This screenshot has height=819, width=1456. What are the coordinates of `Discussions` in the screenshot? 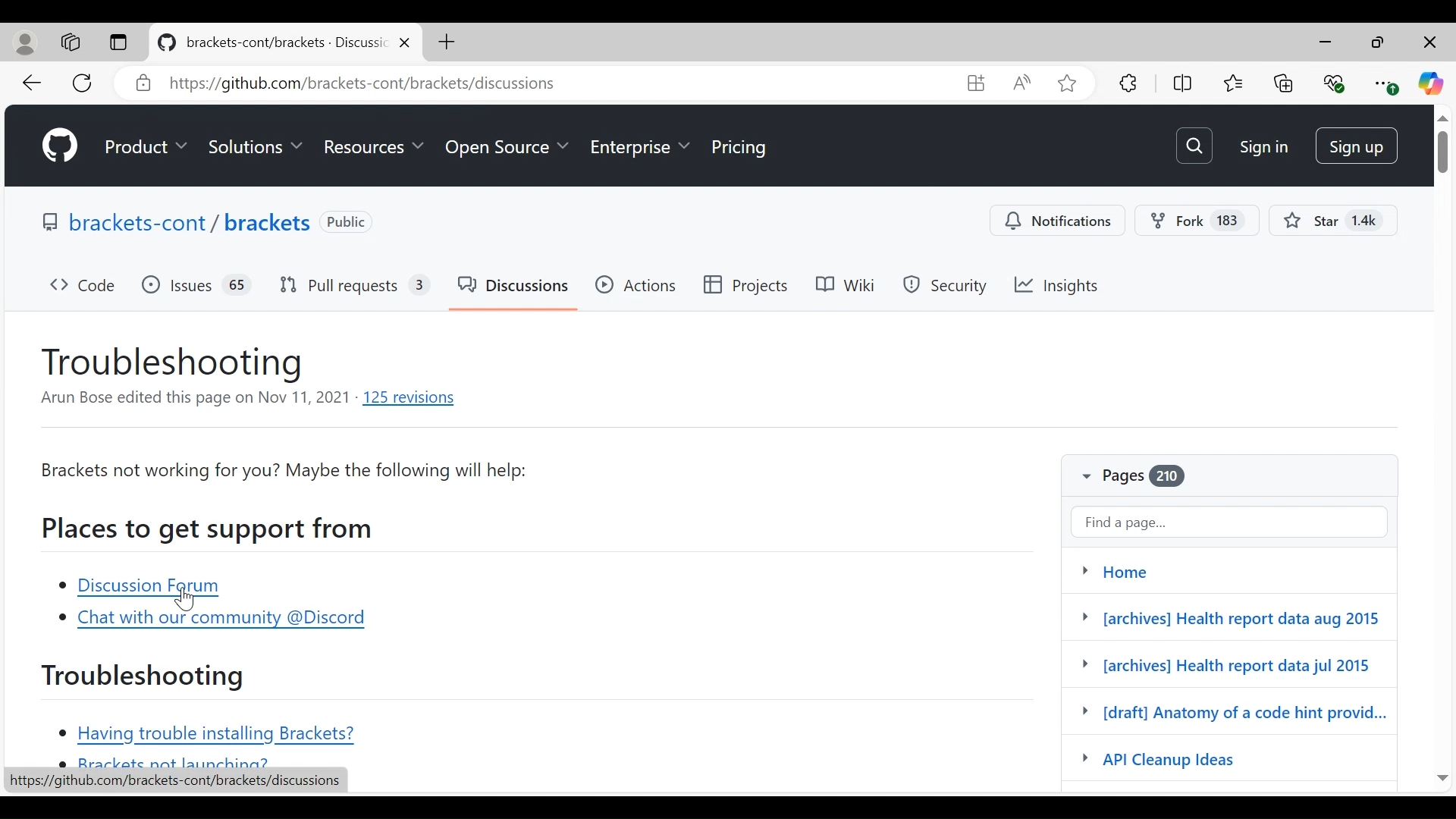 It's located at (515, 288).